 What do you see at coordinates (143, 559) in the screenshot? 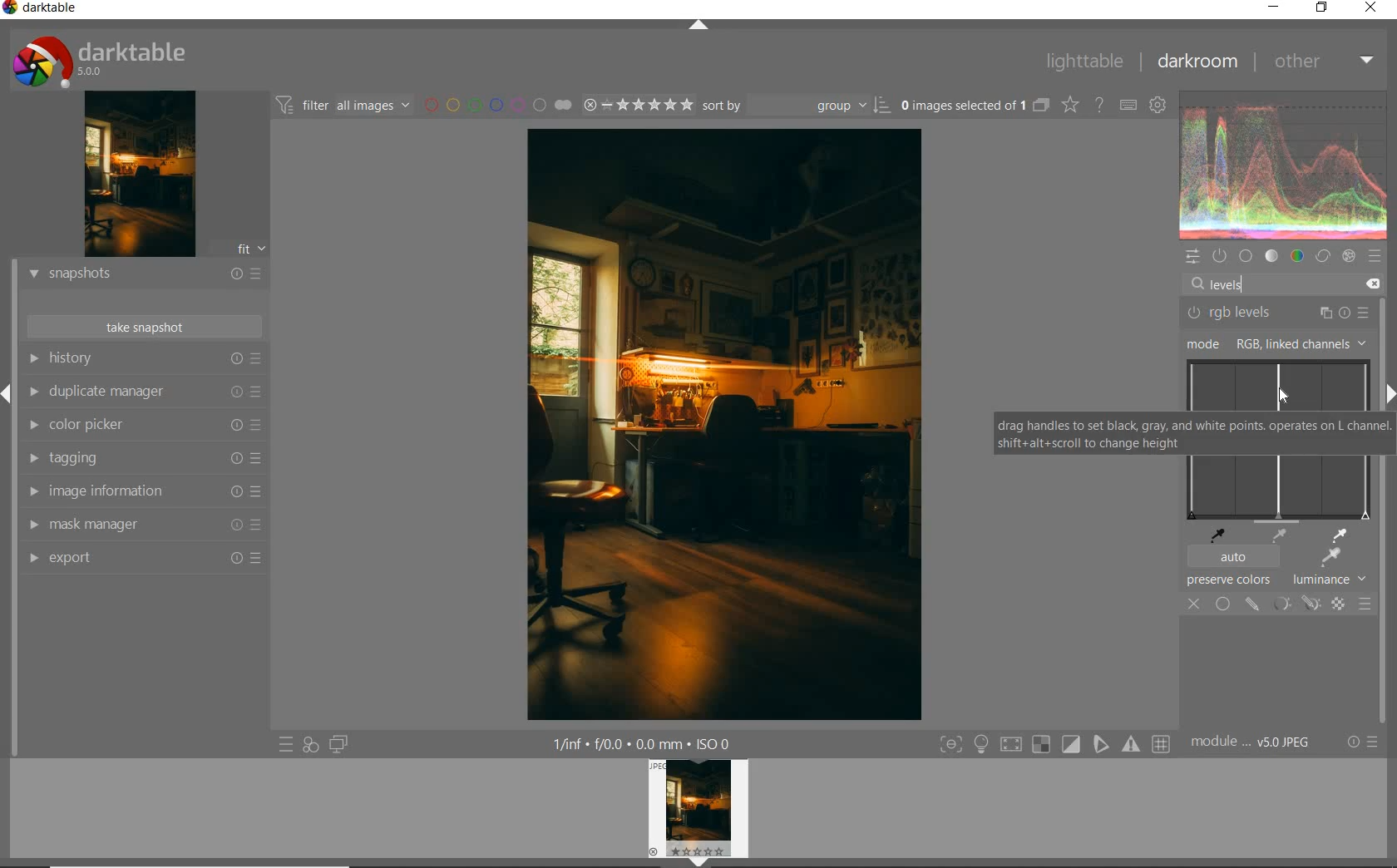
I see `export` at bounding box center [143, 559].